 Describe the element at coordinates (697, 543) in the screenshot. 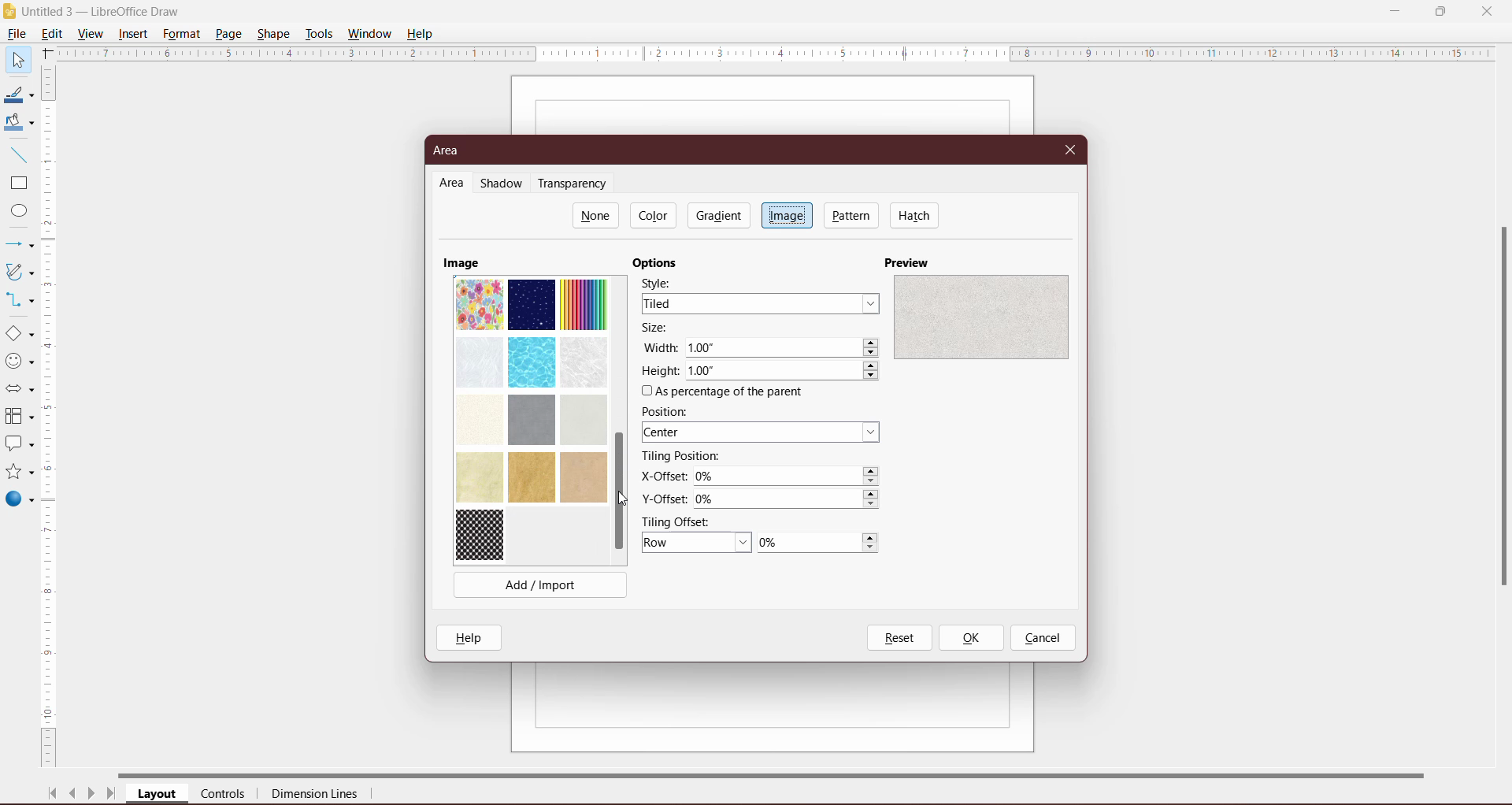

I see `Set Tiling Offest` at that location.